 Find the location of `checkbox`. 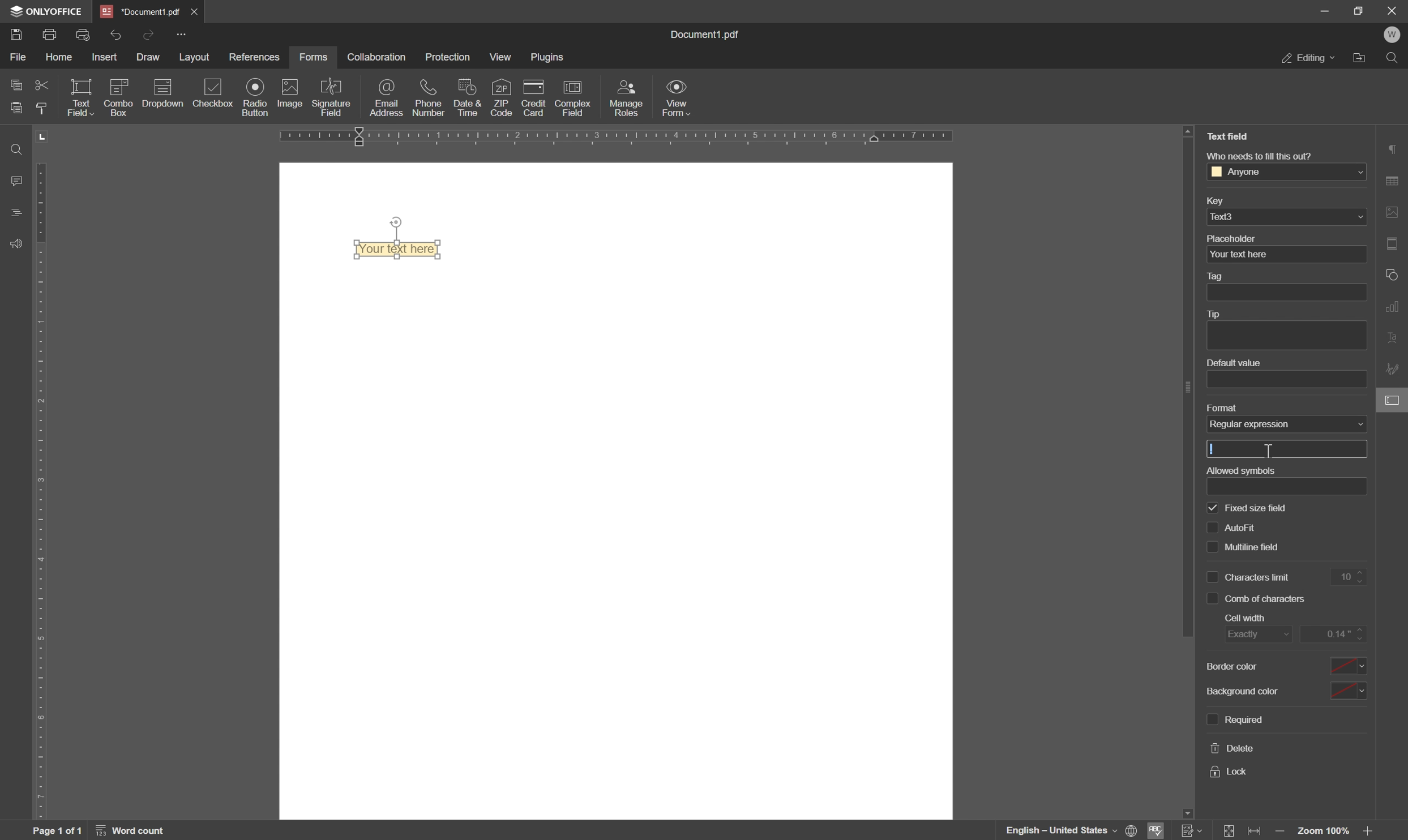

checkbox is located at coordinates (1211, 718).